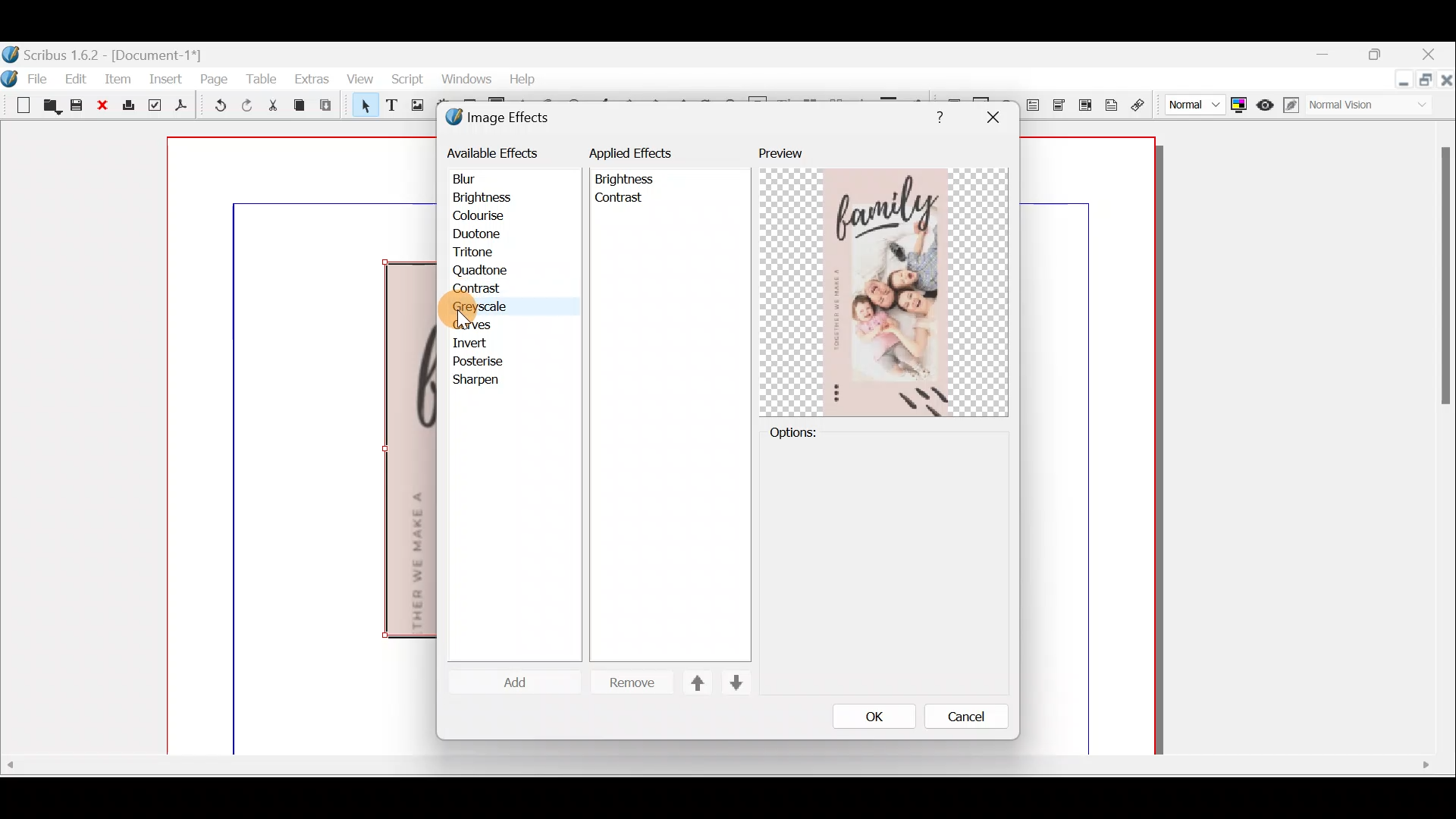 This screenshot has width=1456, height=819. Describe the element at coordinates (498, 234) in the screenshot. I see `duotone` at that location.